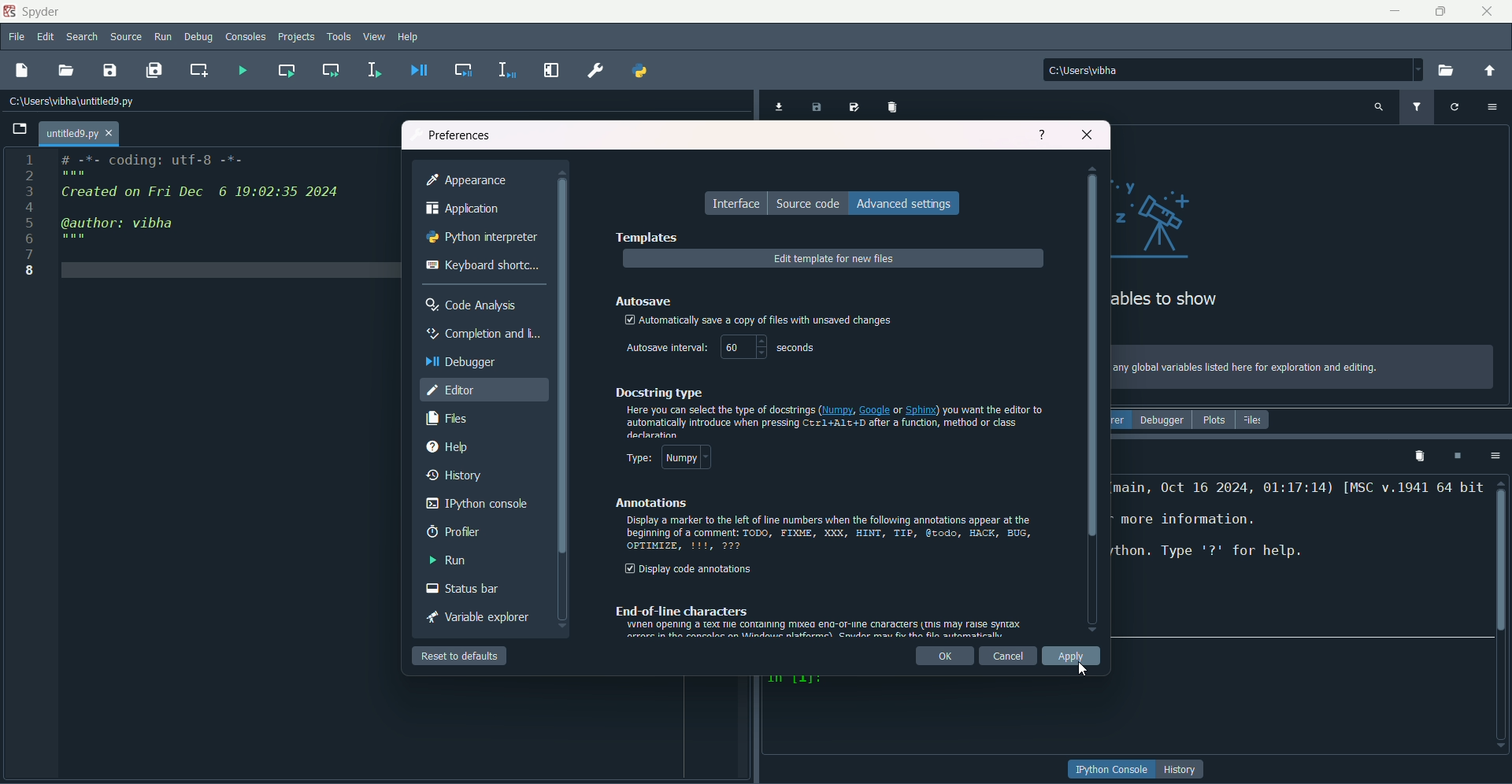 The width and height of the screenshot is (1512, 784). I want to click on text, so click(1247, 368).